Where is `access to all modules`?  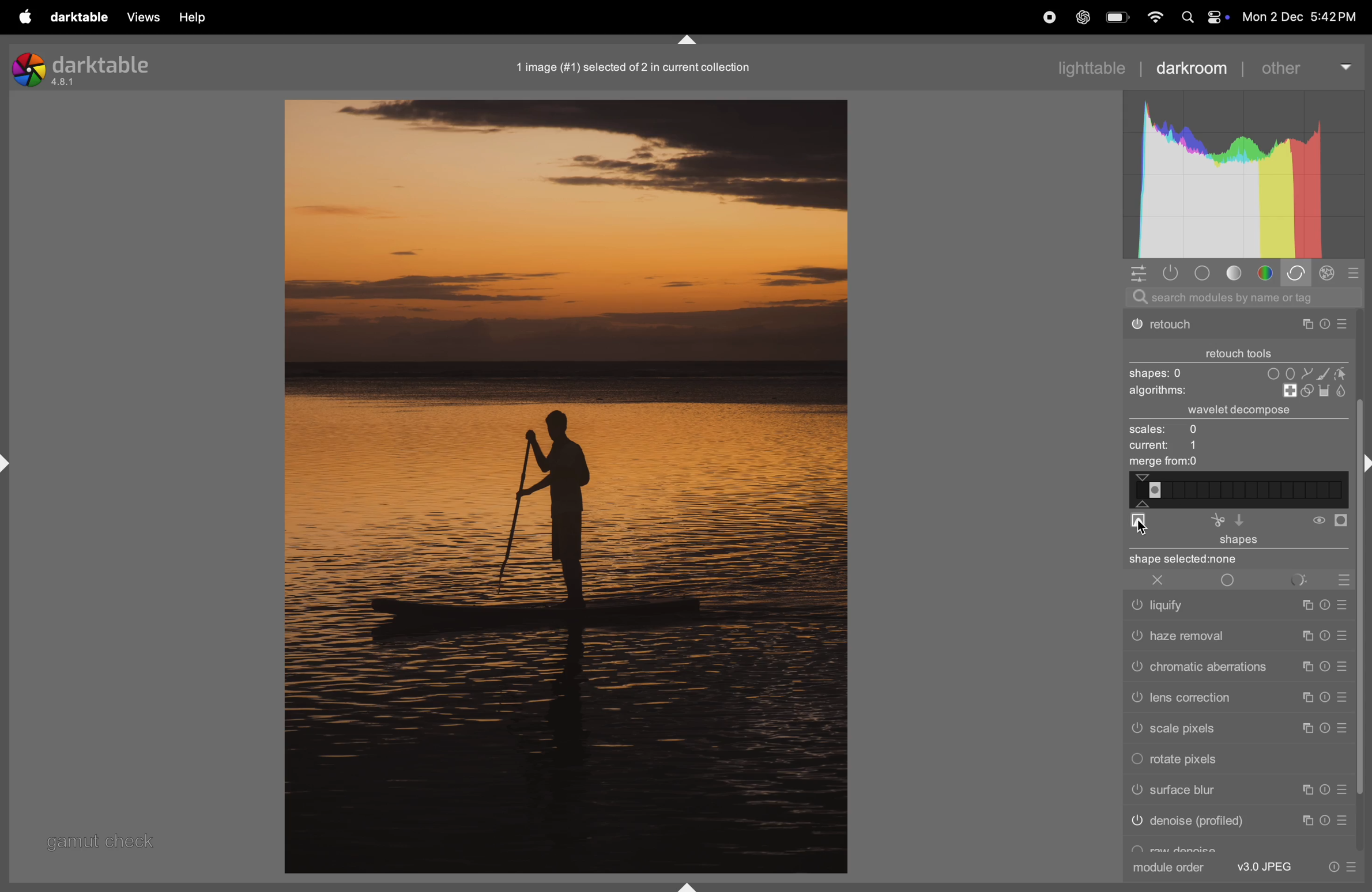 access to all modules is located at coordinates (1139, 273).